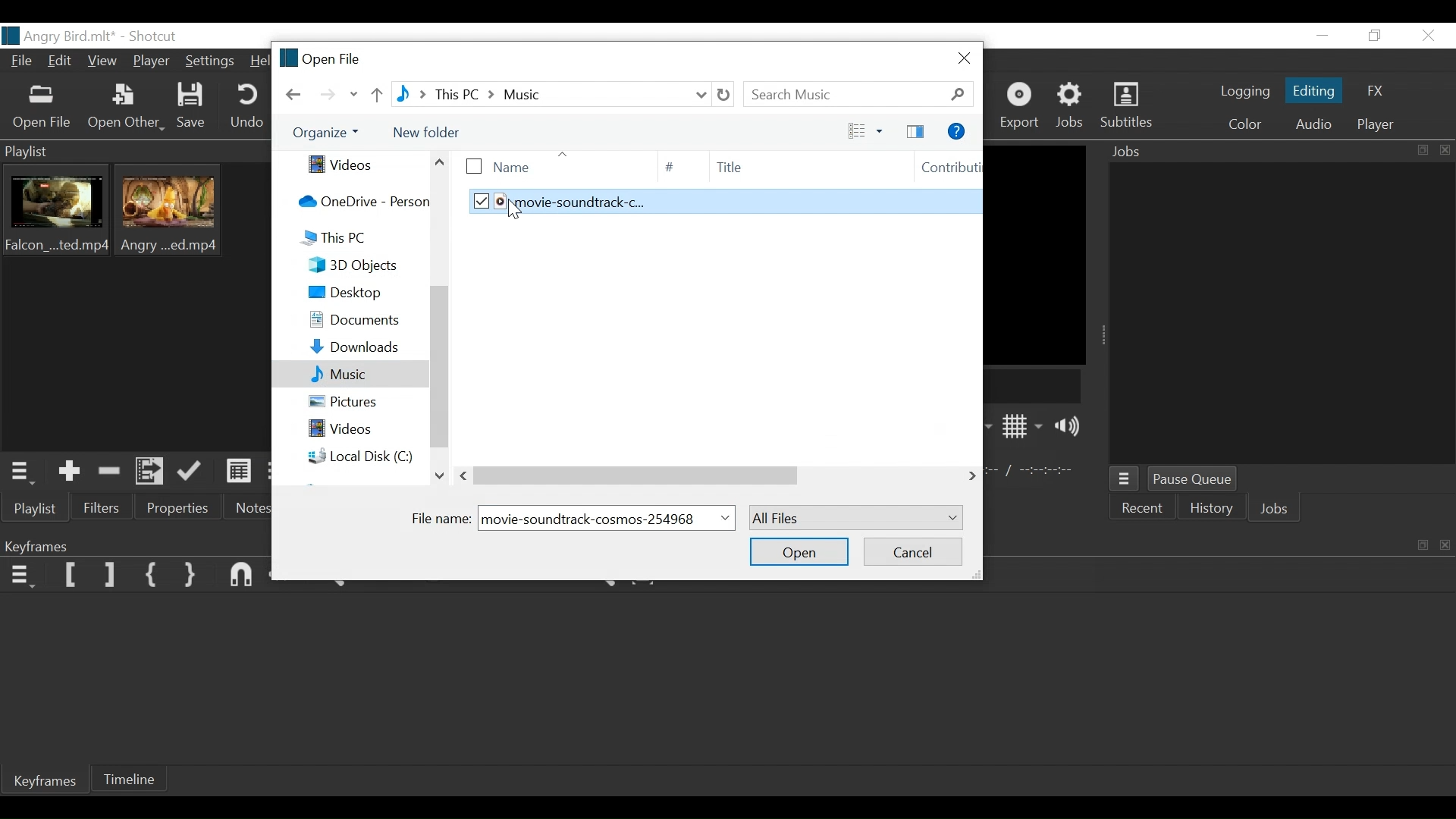 The width and height of the screenshot is (1456, 819). What do you see at coordinates (1321, 36) in the screenshot?
I see `Minimize` at bounding box center [1321, 36].